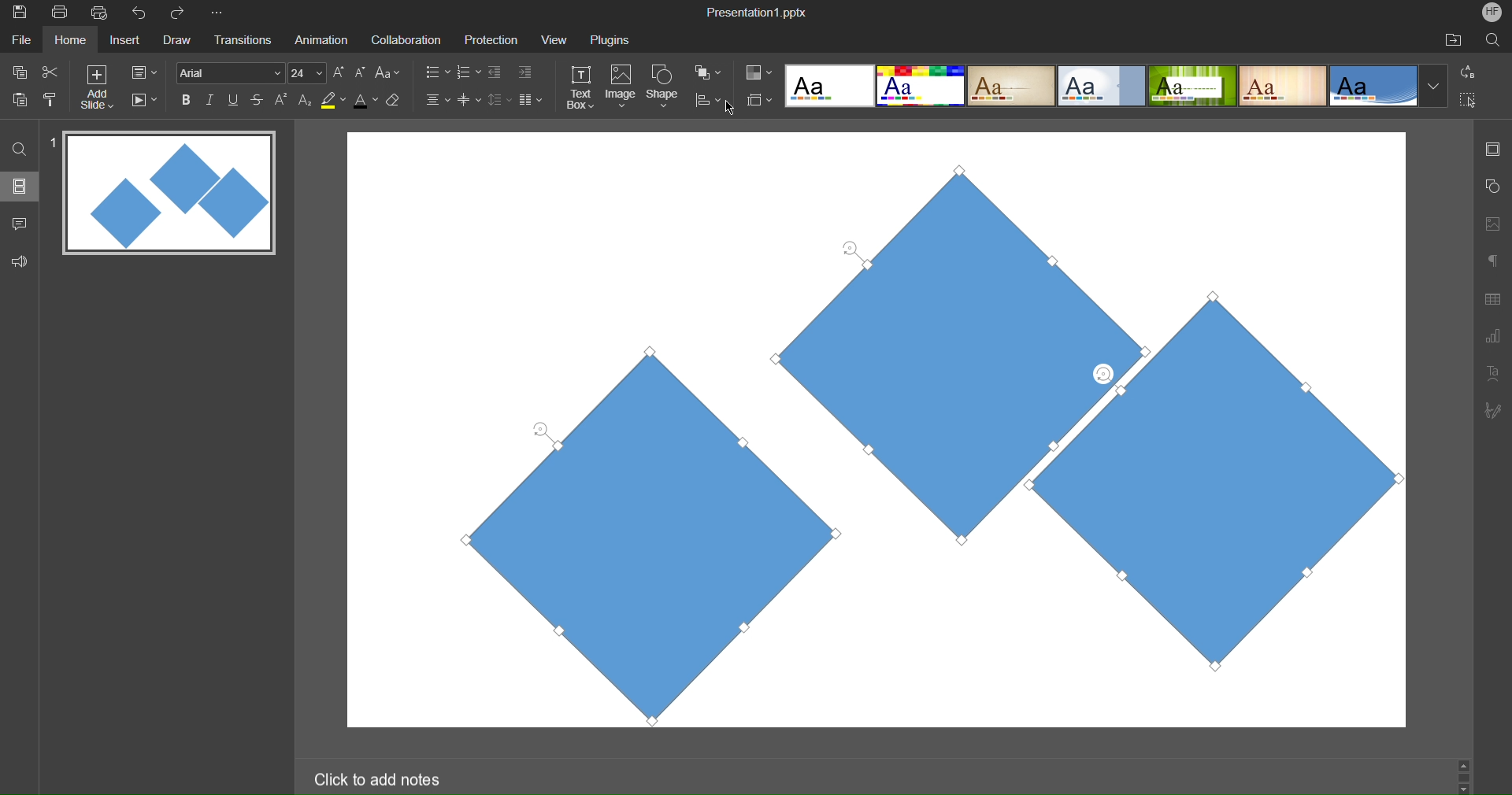 The width and height of the screenshot is (1512, 795). I want to click on Erase Style, so click(395, 100).